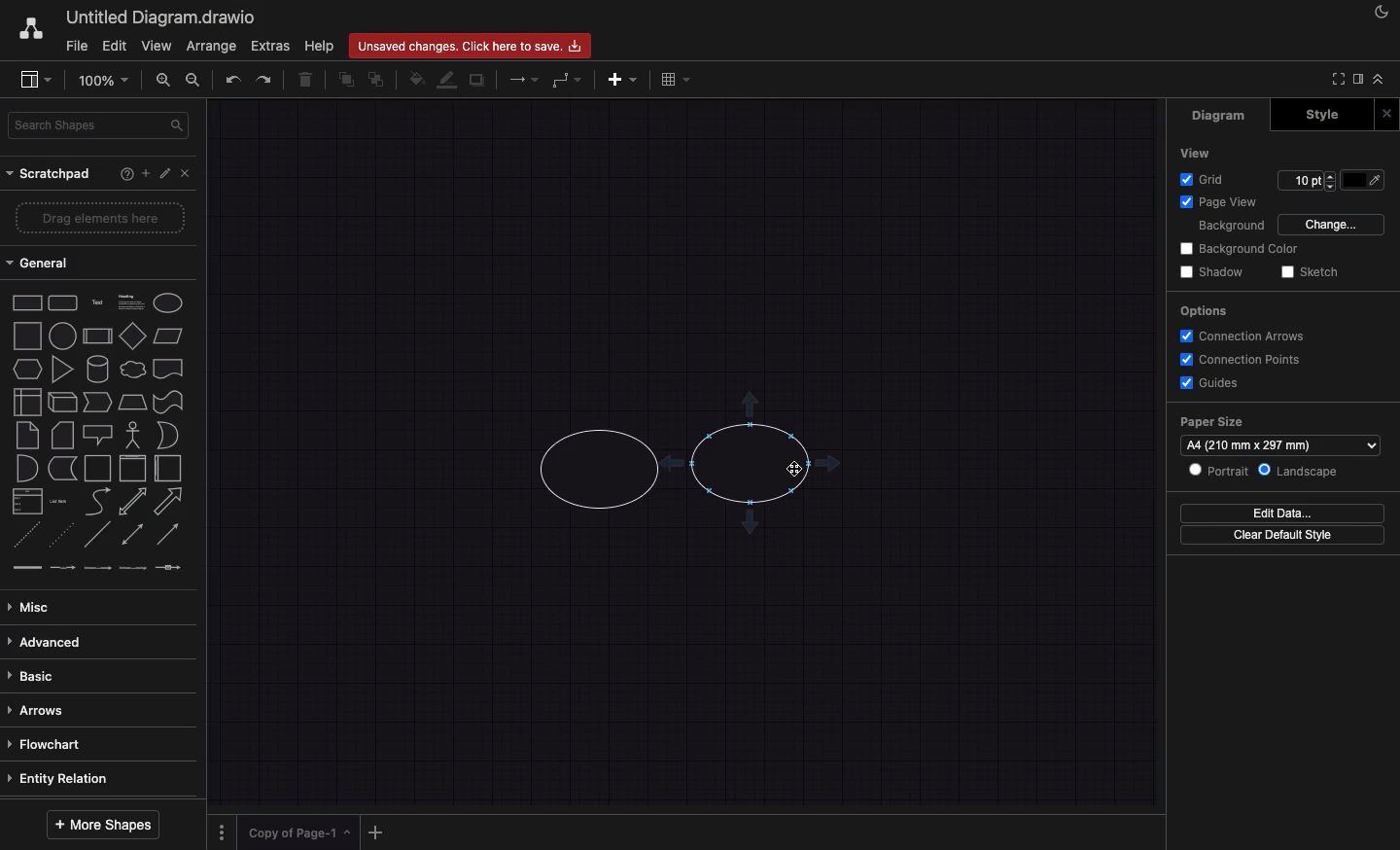 The width and height of the screenshot is (1400, 850). Describe the element at coordinates (25, 567) in the screenshot. I see `link` at that location.